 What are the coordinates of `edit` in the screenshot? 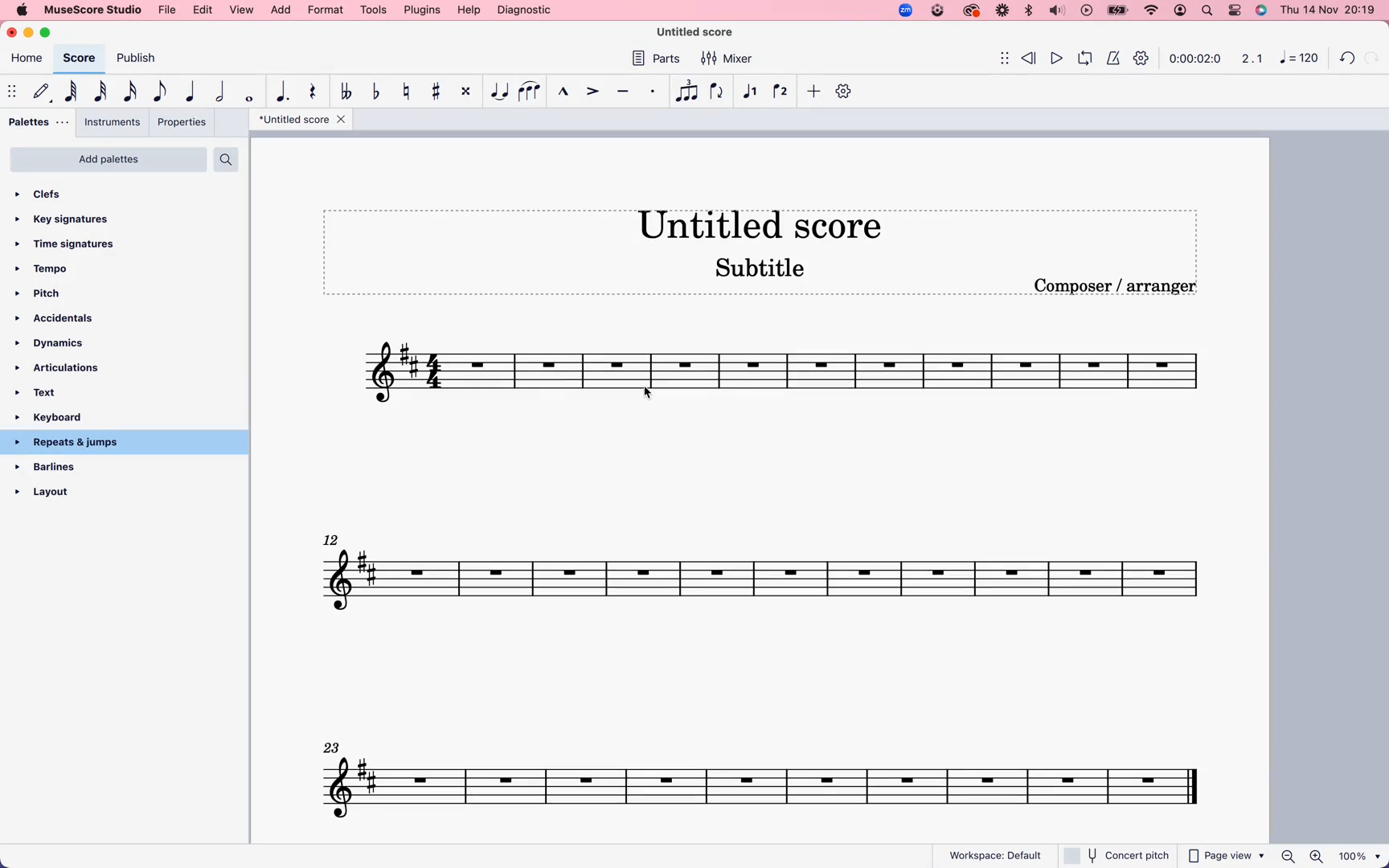 It's located at (204, 10).